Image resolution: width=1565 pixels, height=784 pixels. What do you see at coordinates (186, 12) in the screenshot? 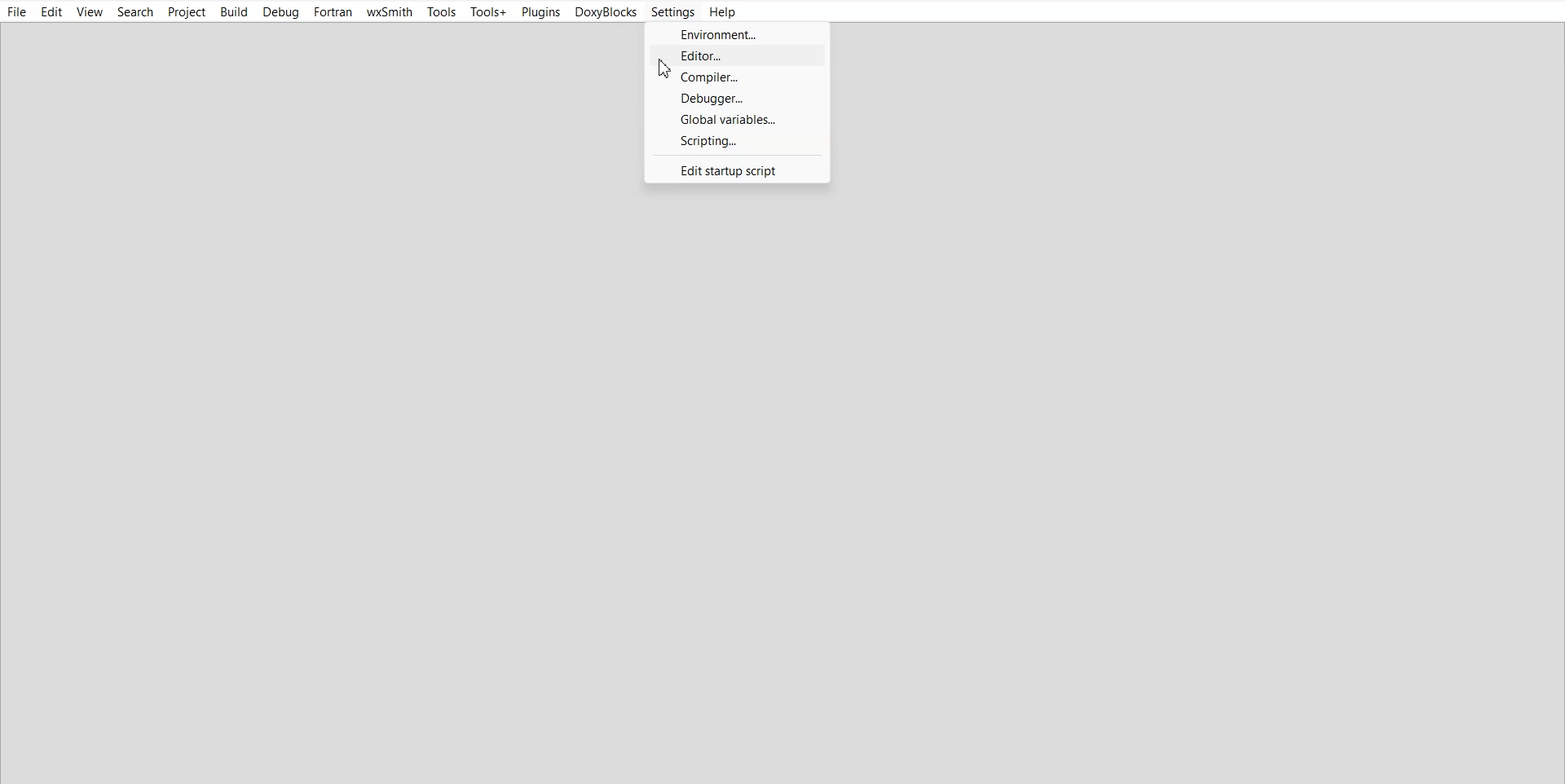
I see `Project` at bounding box center [186, 12].